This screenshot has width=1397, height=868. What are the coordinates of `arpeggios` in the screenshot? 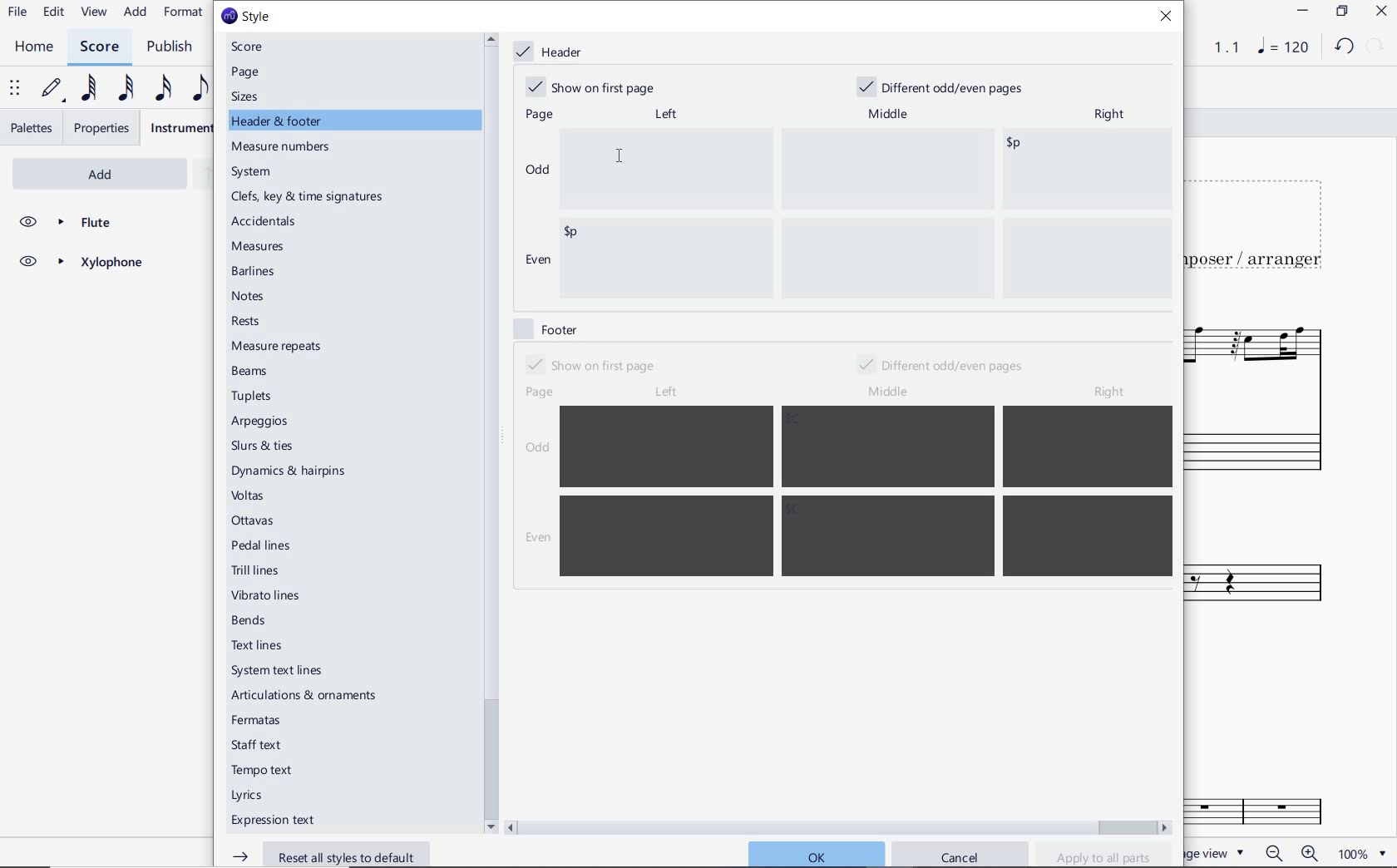 It's located at (260, 422).